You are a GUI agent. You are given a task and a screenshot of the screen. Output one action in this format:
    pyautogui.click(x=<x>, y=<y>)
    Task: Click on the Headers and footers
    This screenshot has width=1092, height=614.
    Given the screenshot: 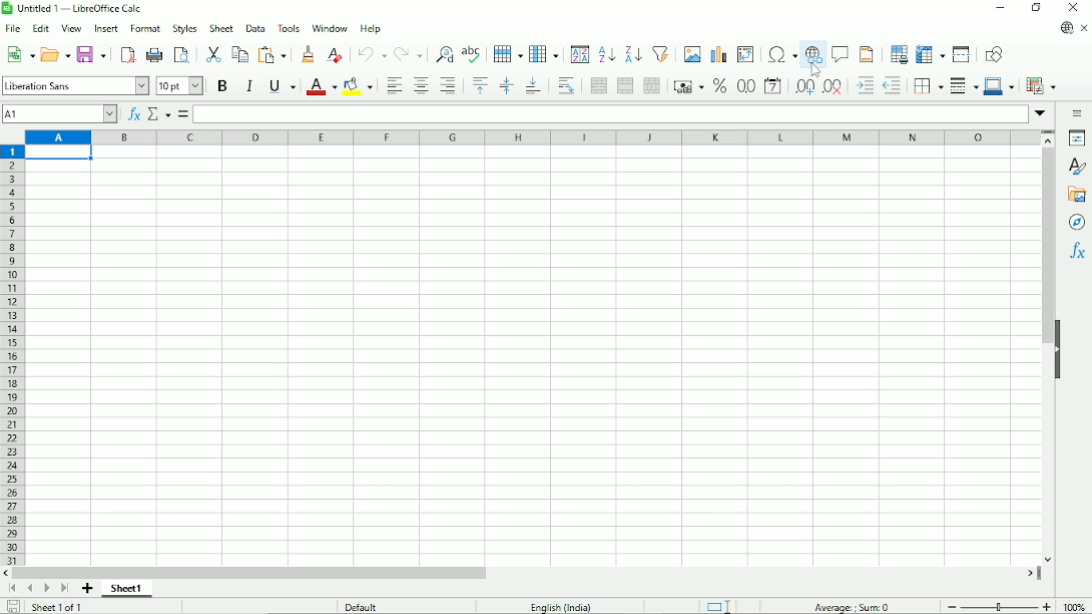 What is the action you would take?
    pyautogui.click(x=866, y=53)
    